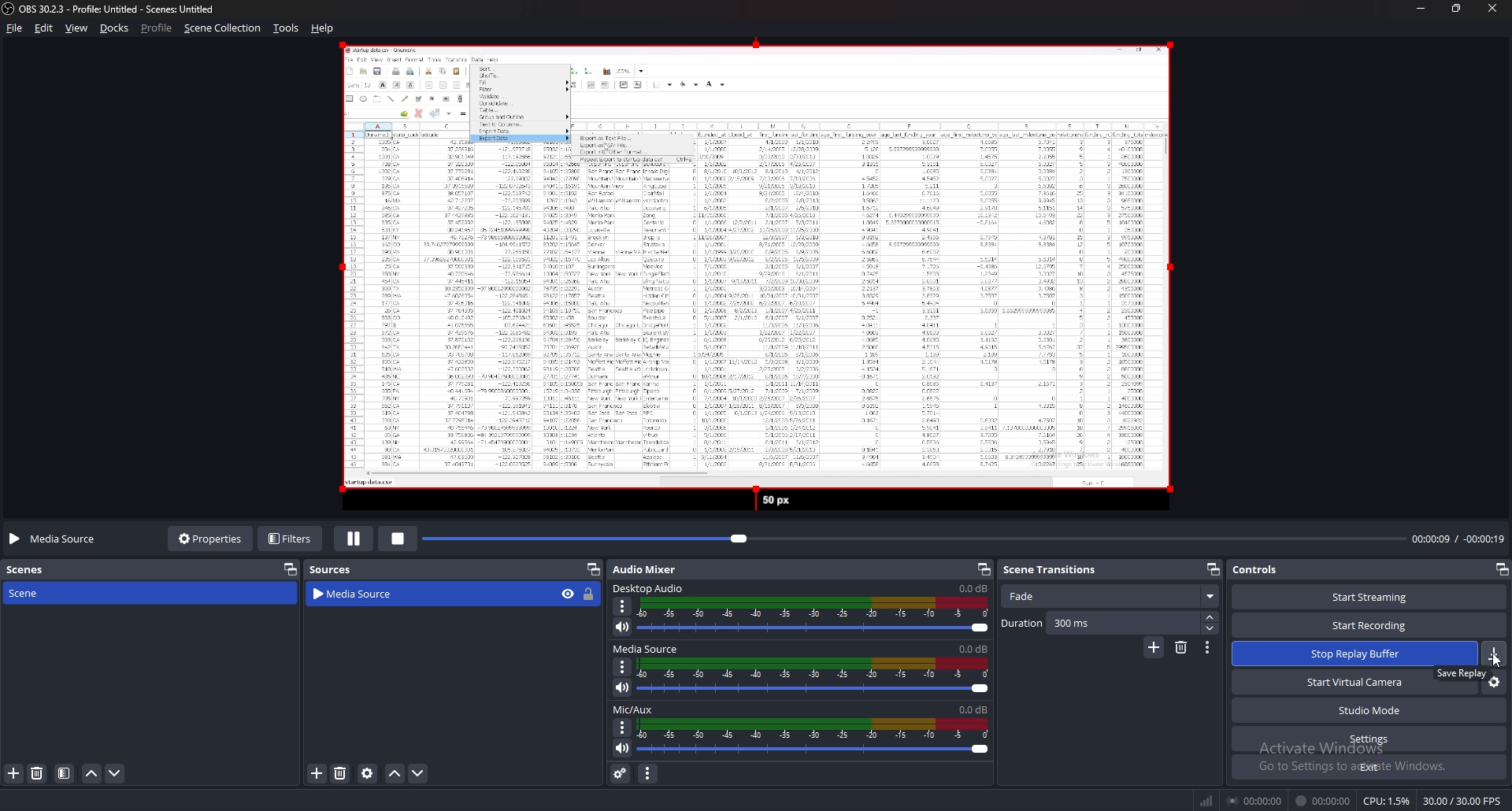  I want to click on CPU: 1.3%, so click(1387, 801).